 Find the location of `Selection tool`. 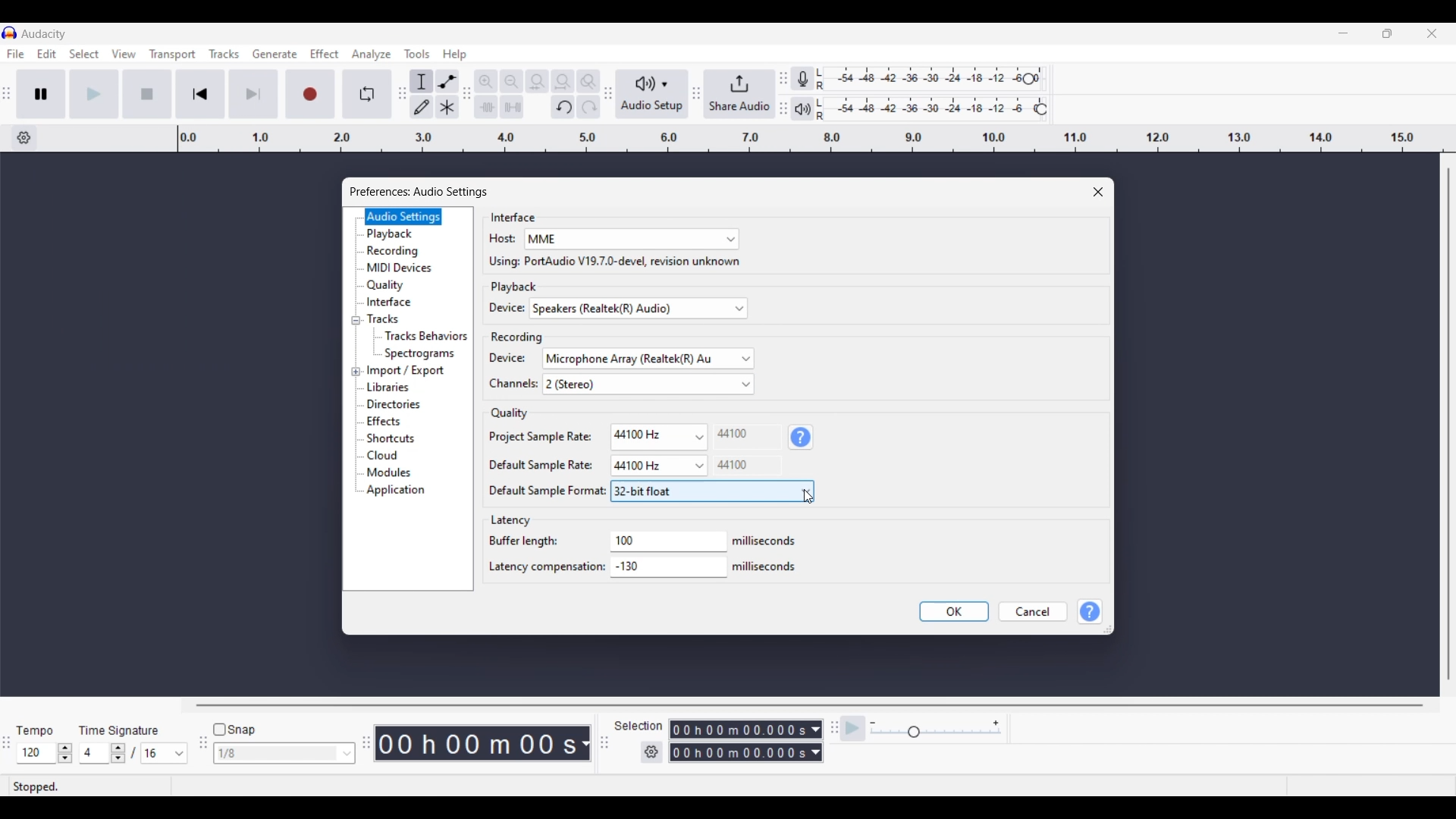

Selection tool is located at coordinates (422, 81).